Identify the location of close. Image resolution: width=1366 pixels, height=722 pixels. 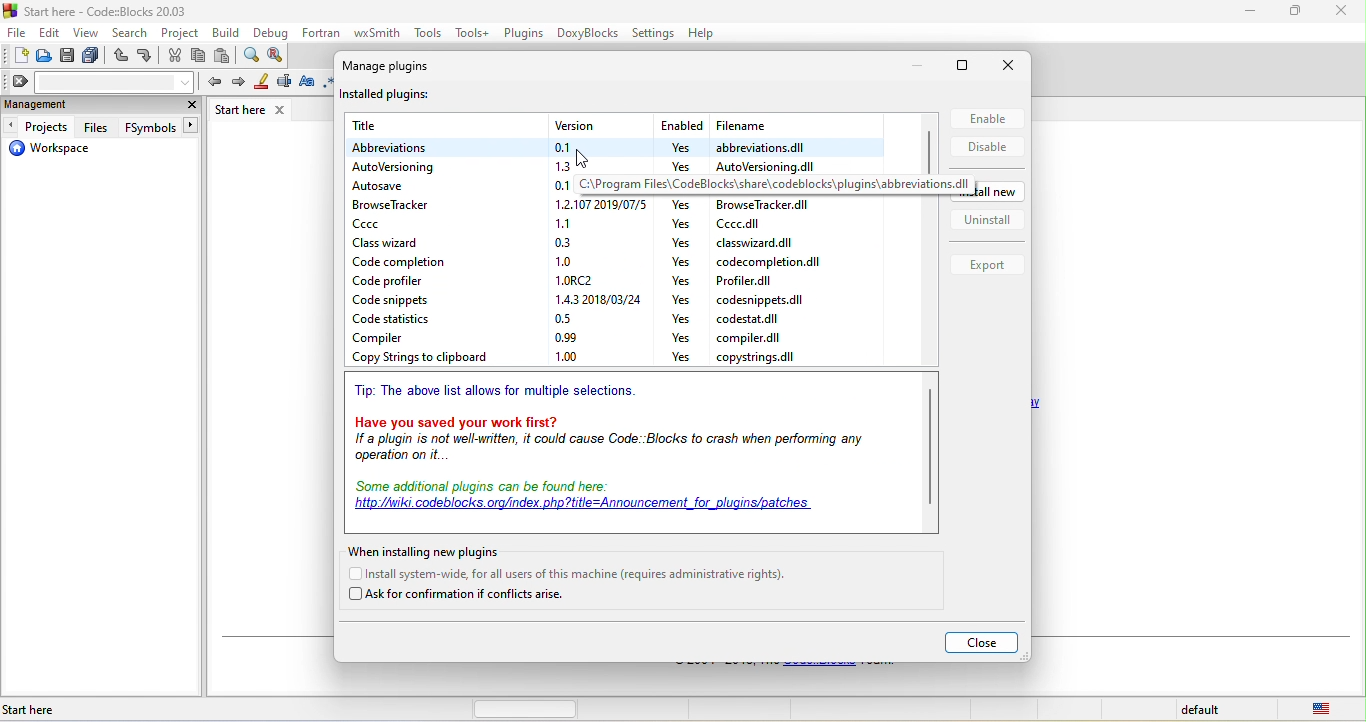
(1341, 12).